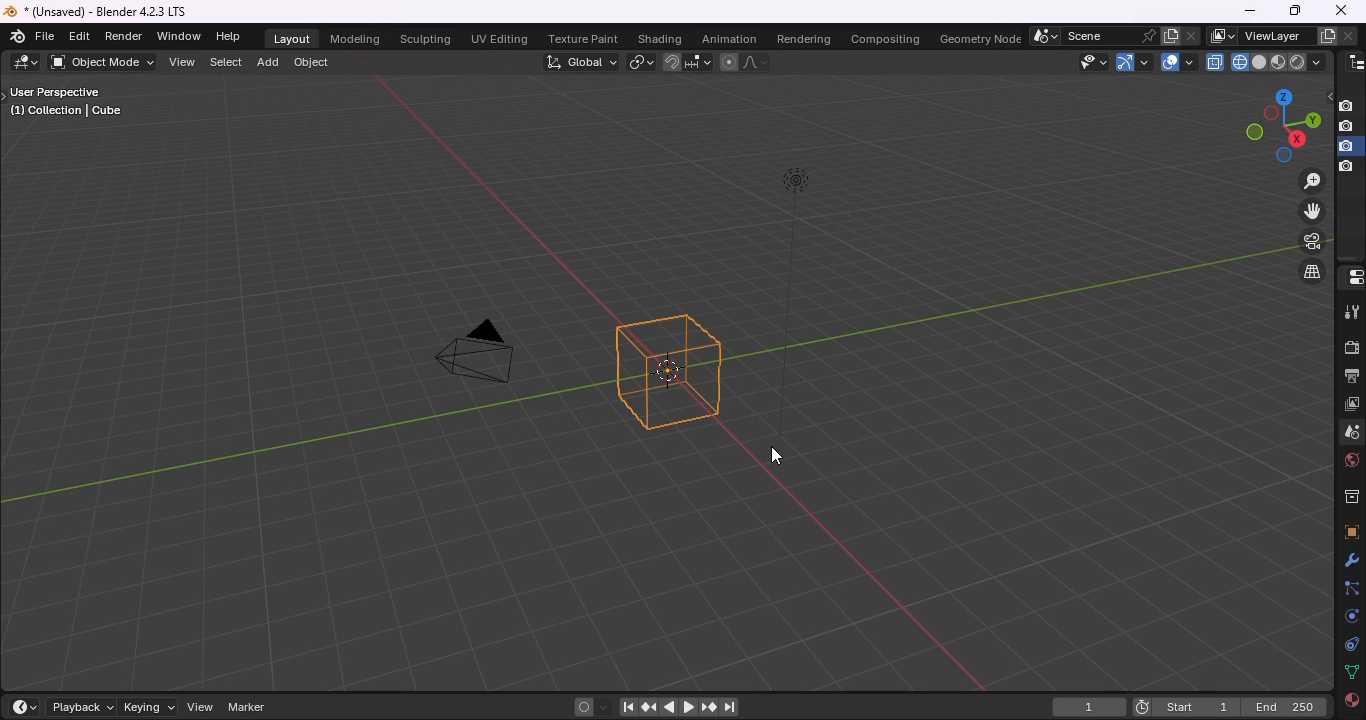 Image resolution: width=1366 pixels, height=720 pixels. I want to click on solid display, so click(1261, 62).